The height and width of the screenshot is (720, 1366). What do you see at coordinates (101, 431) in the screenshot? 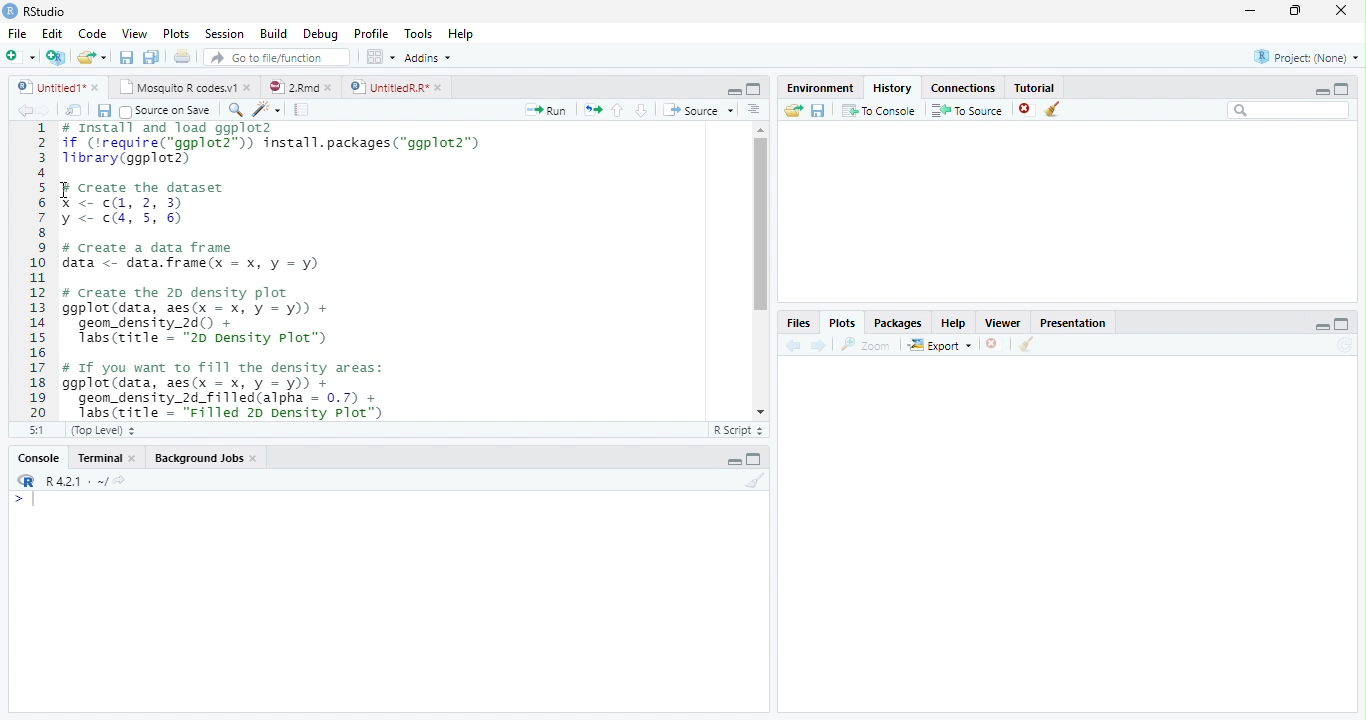
I see `(Top Level)` at bounding box center [101, 431].